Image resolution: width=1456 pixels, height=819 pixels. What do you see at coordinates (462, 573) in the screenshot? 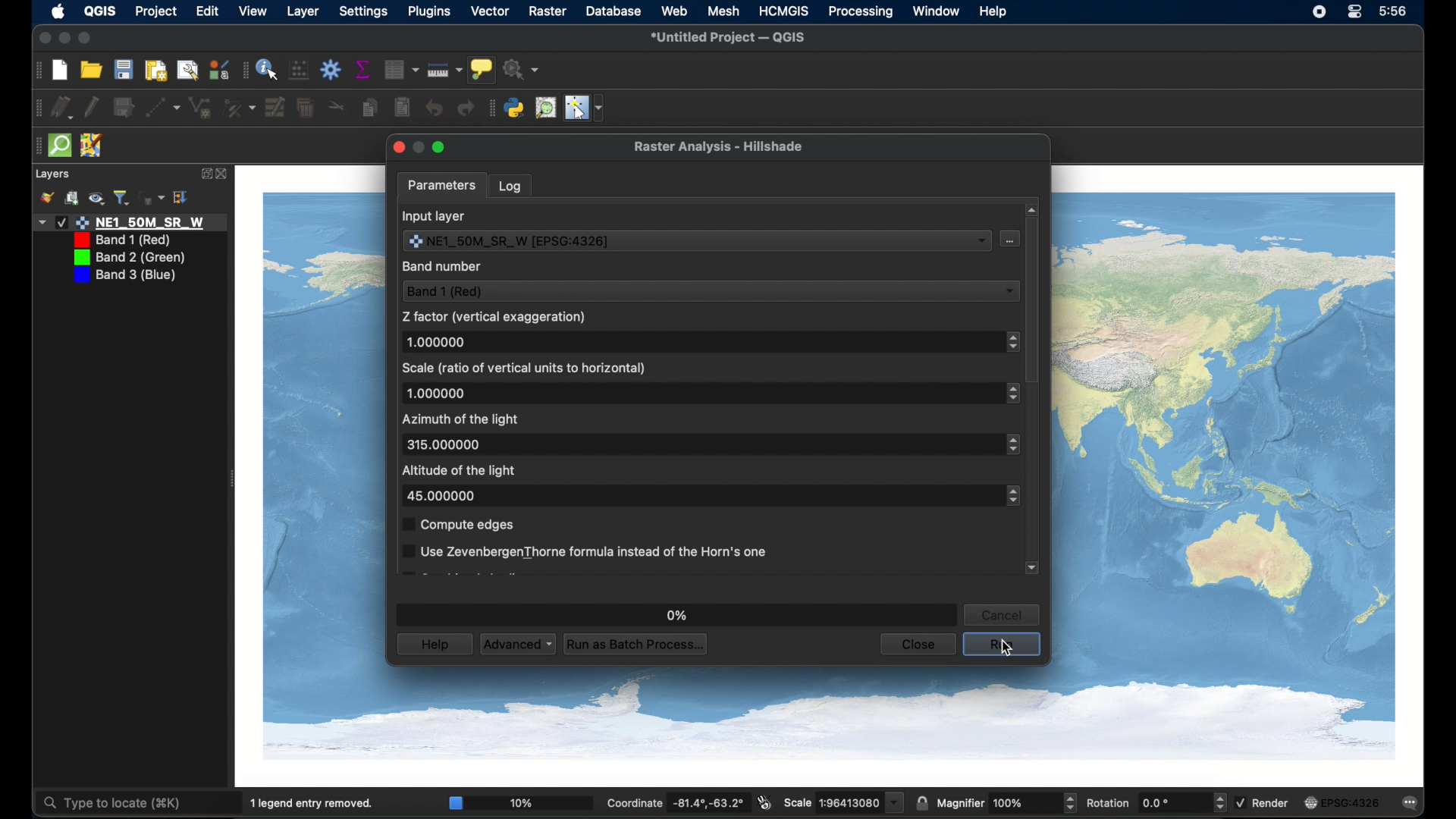
I see `obscured text` at bounding box center [462, 573].